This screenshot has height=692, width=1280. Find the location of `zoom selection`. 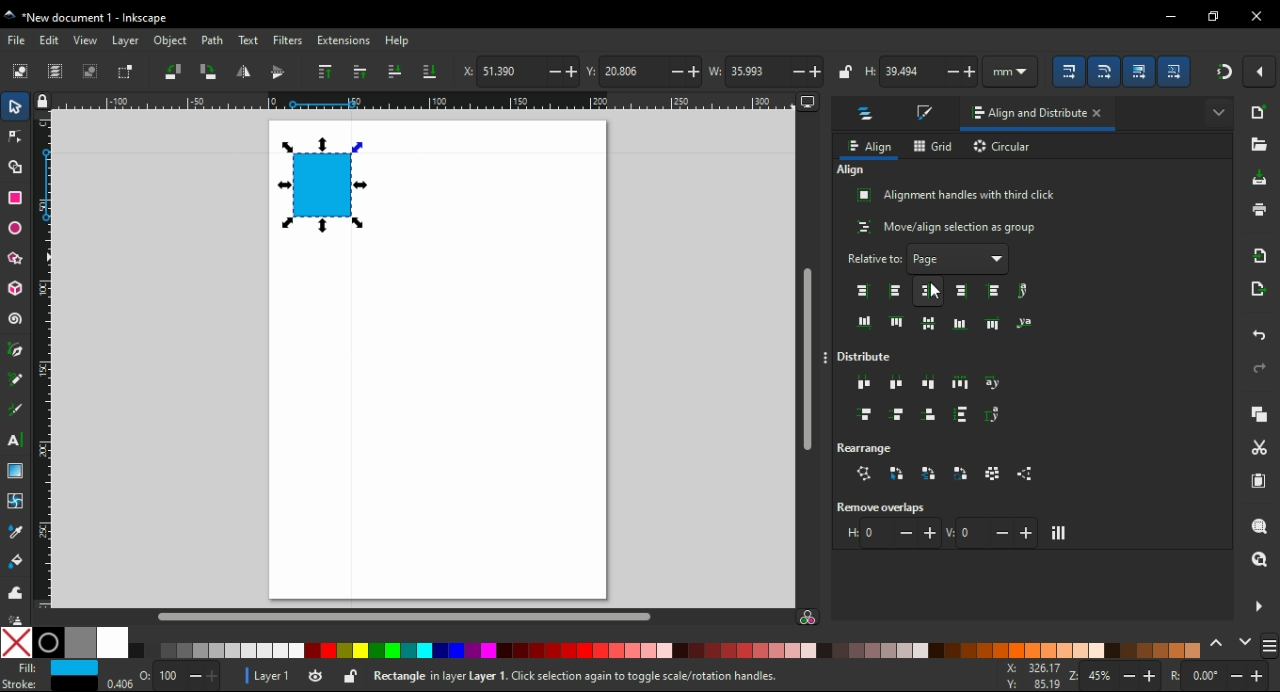

zoom selection is located at coordinates (1259, 525).